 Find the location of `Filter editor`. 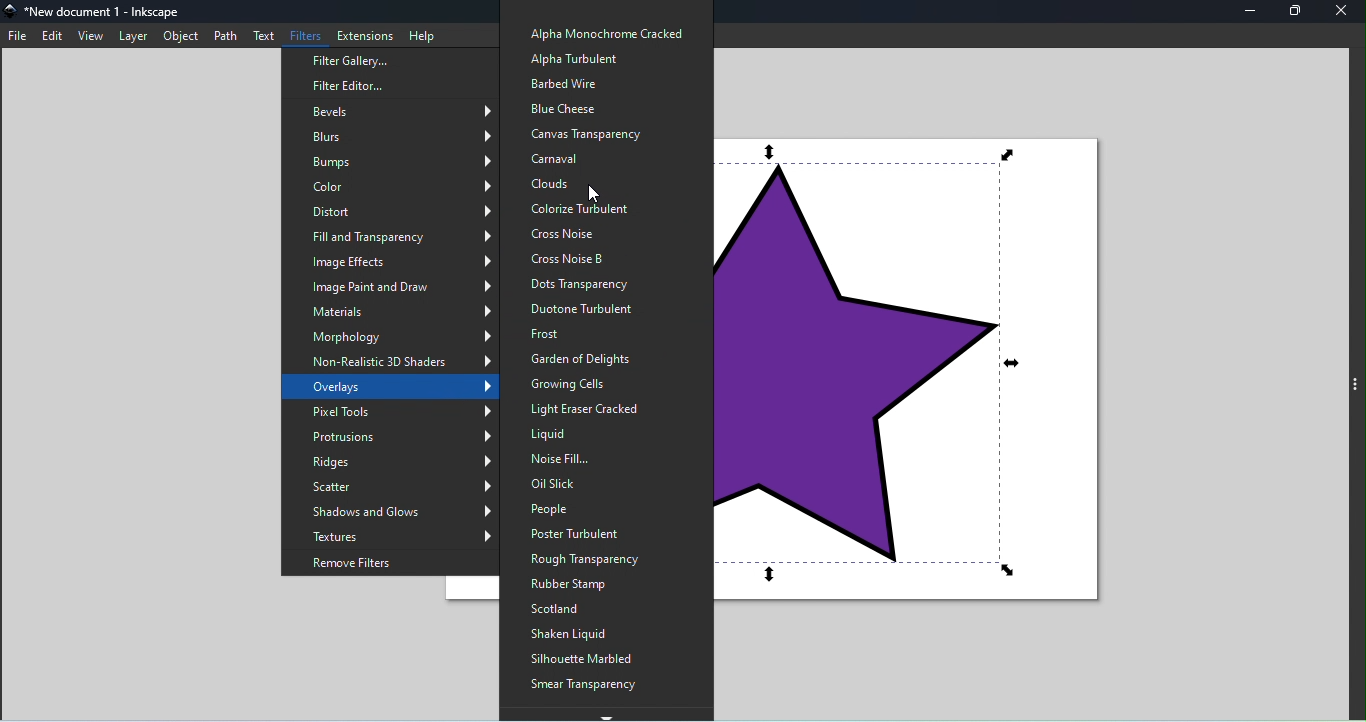

Filter editor is located at coordinates (367, 88).